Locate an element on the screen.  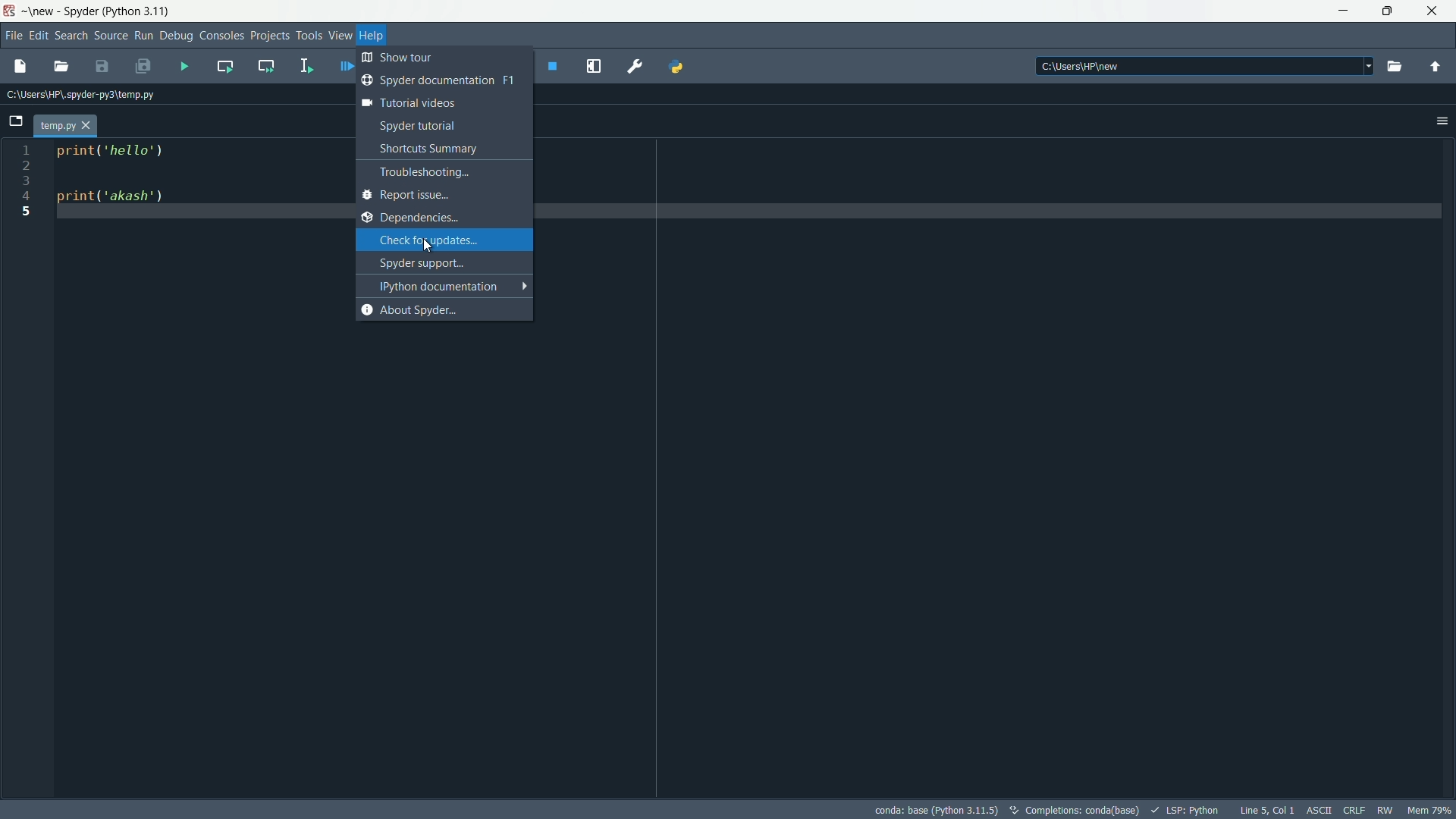
run menu is located at coordinates (143, 36).